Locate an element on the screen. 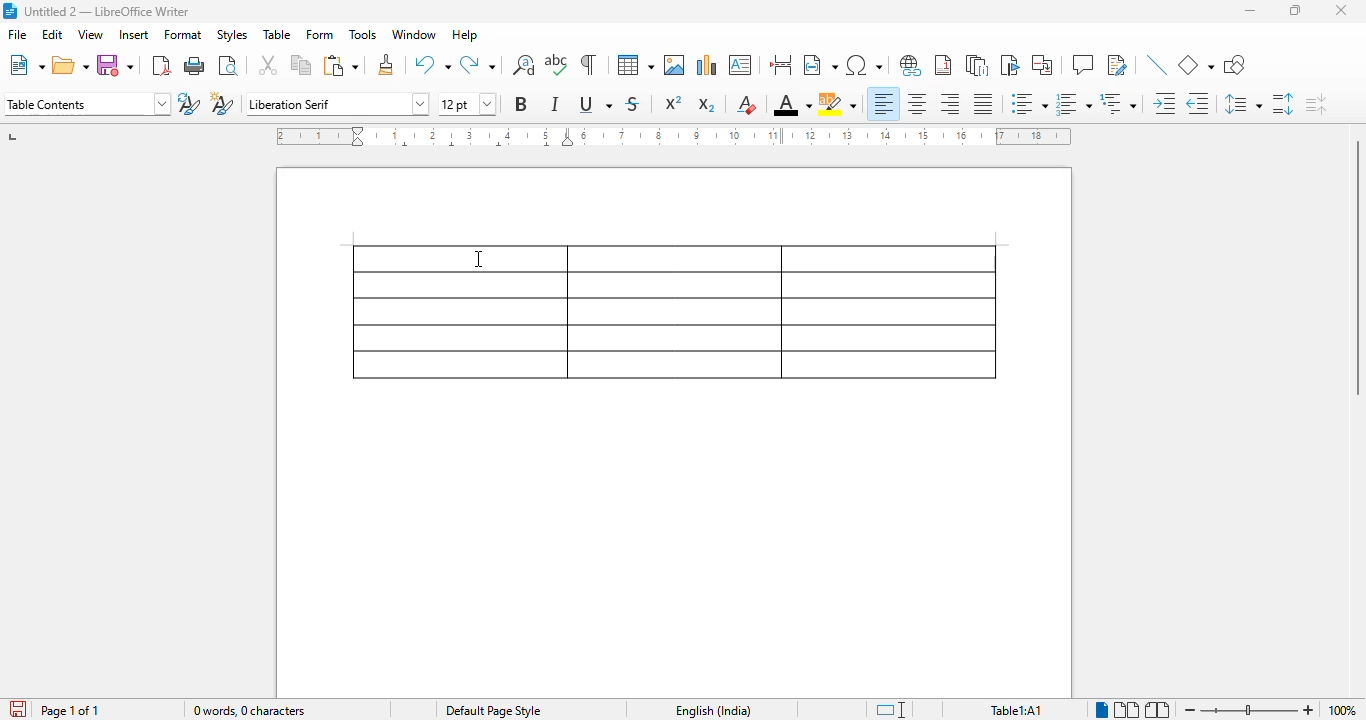 Image resolution: width=1366 pixels, height=720 pixels. insert is located at coordinates (134, 34).